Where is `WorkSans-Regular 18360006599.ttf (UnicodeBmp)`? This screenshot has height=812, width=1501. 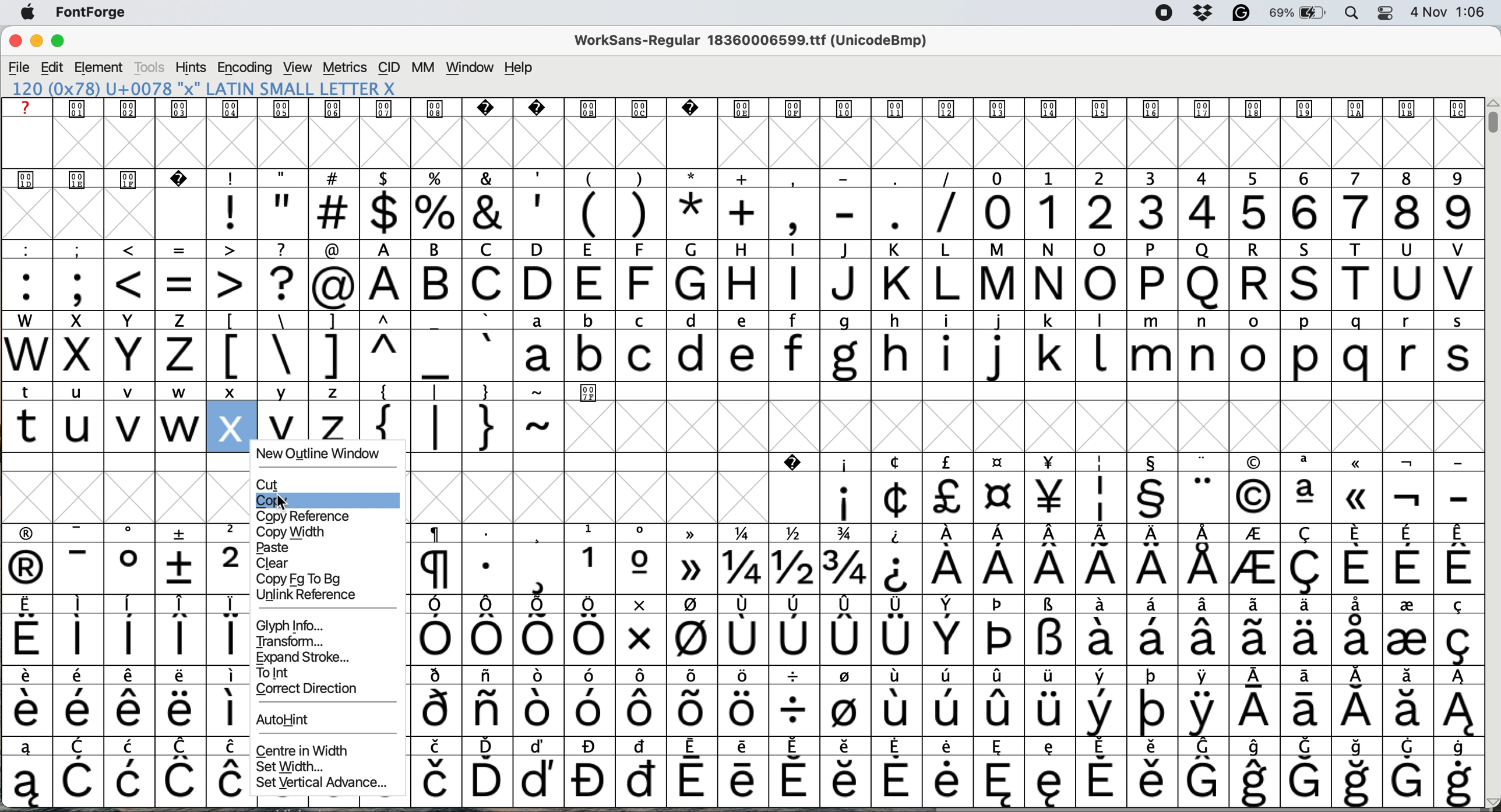 WorkSans-Regular 18360006599.ttf (UnicodeBmp) is located at coordinates (756, 43).